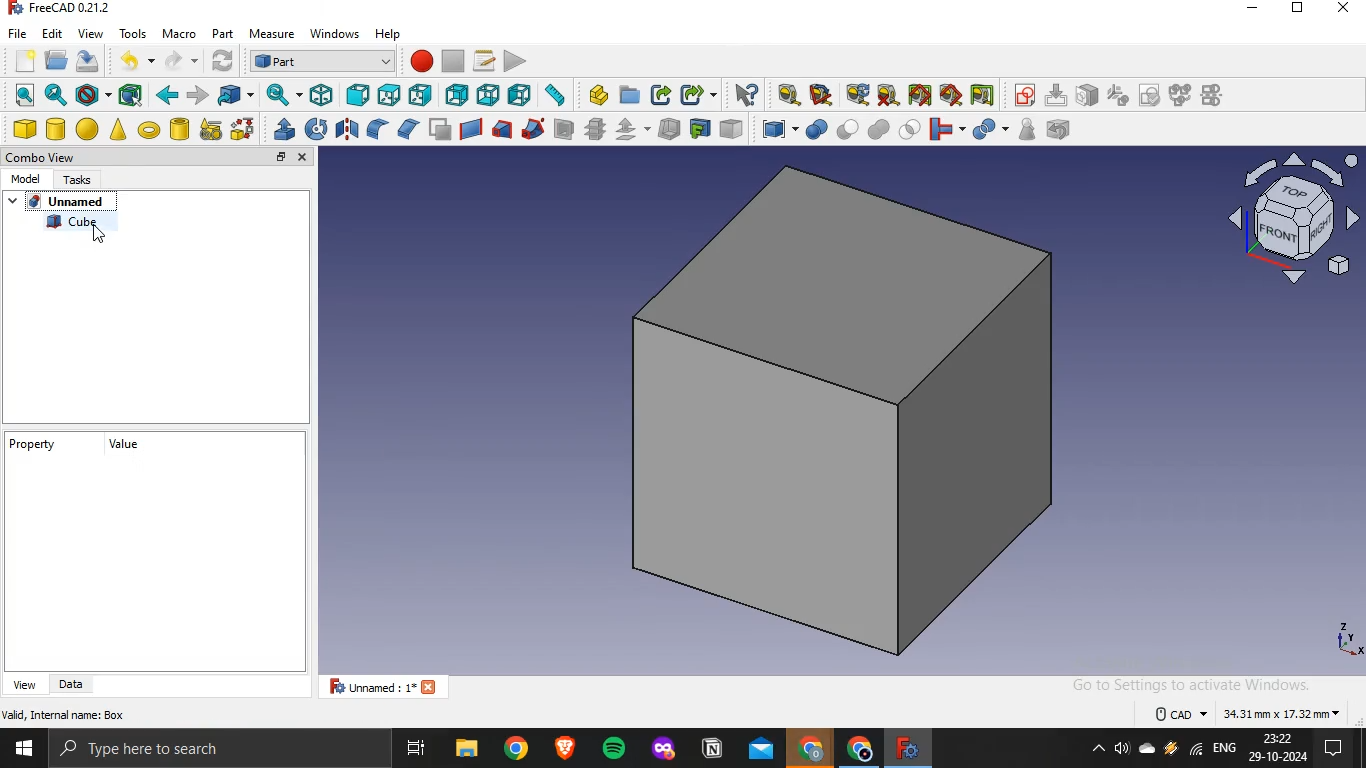 This screenshot has height=768, width=1366. What do you see at coordinates (388, 96) in the screenshot?
I see `top` at bounding box center [388, 96].